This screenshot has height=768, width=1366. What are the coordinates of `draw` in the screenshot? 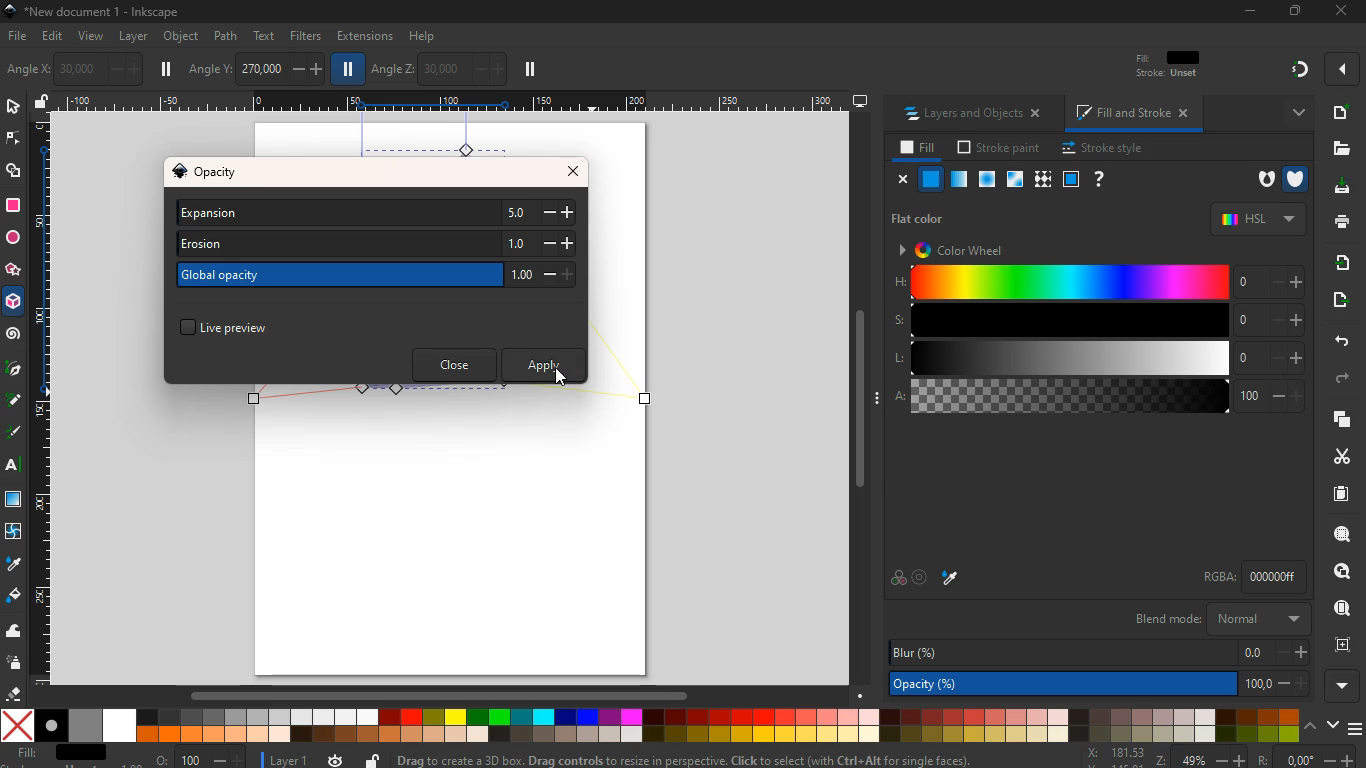 It's located at (13, 404).